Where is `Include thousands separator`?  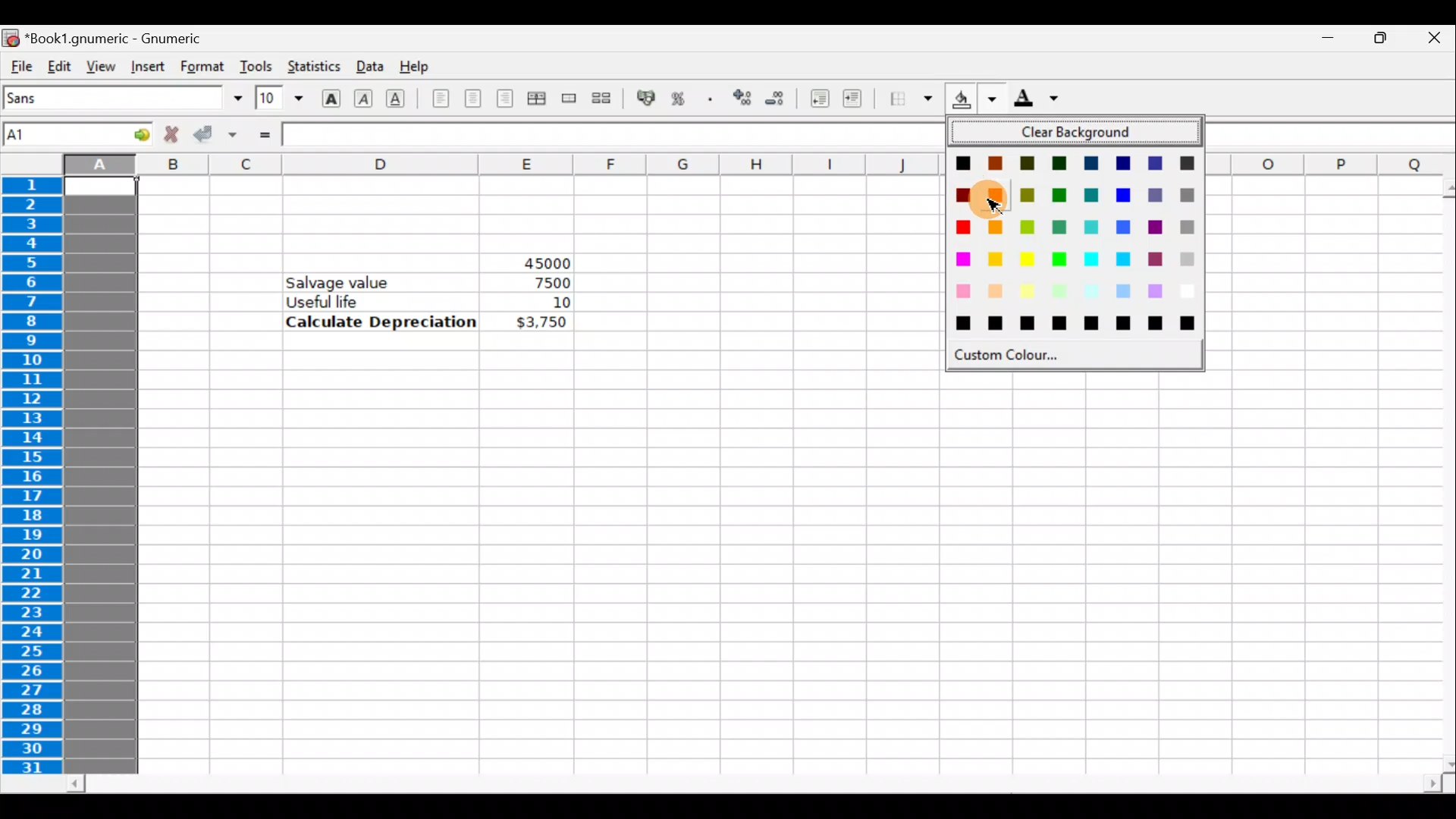
Include thousands separator is located at coordinates (711, 99).